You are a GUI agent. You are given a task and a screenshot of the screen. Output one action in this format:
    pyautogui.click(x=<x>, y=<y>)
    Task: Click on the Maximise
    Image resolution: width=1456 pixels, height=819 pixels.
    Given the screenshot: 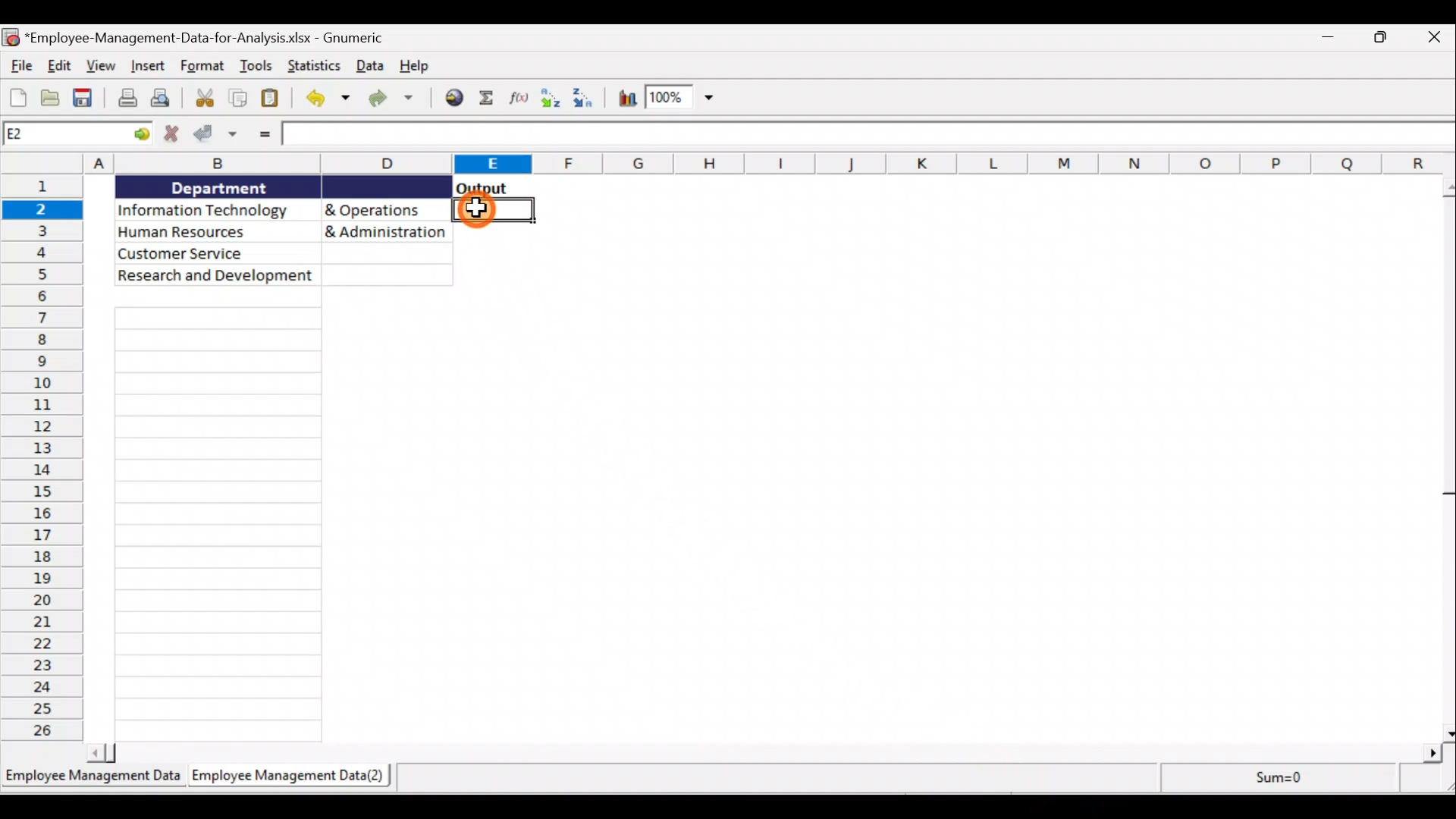 What is the action you would take?
    pyautogui.click(x=1386, y=39)
    